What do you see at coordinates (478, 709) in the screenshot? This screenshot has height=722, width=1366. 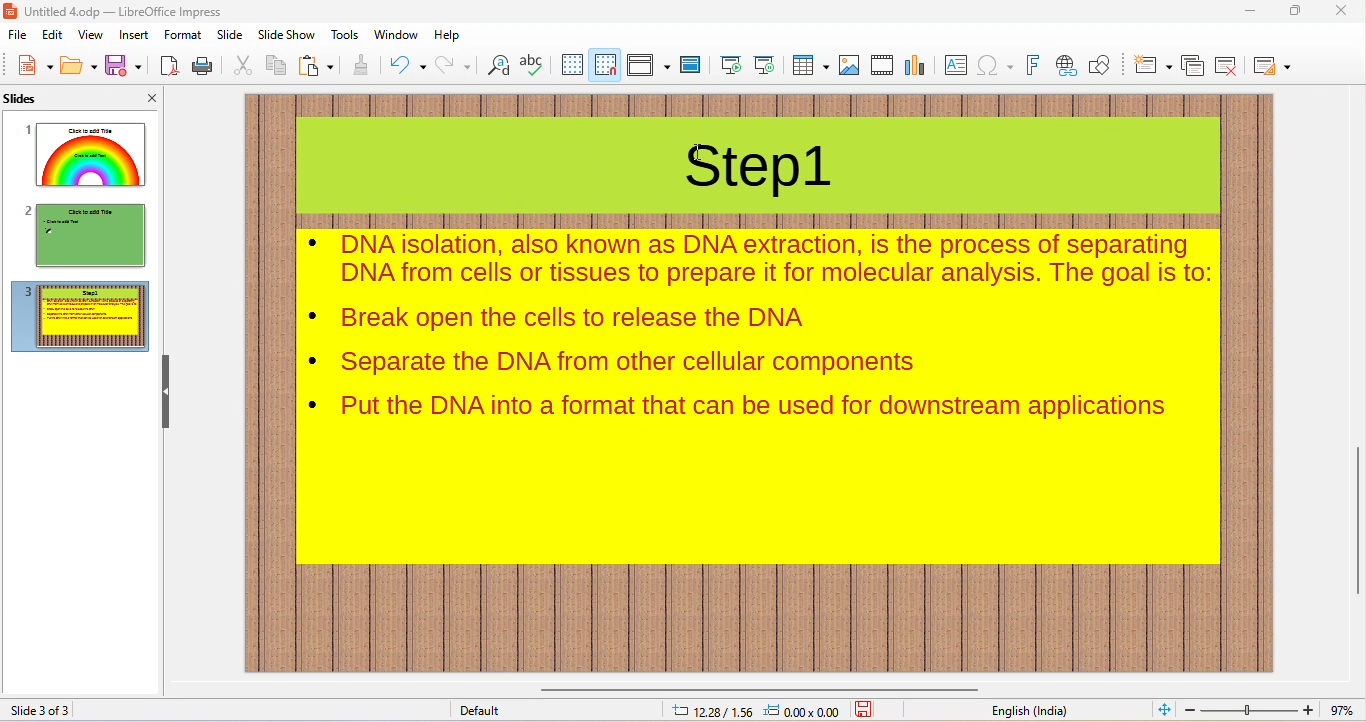 I see `default` at bounding box center [478, 709].